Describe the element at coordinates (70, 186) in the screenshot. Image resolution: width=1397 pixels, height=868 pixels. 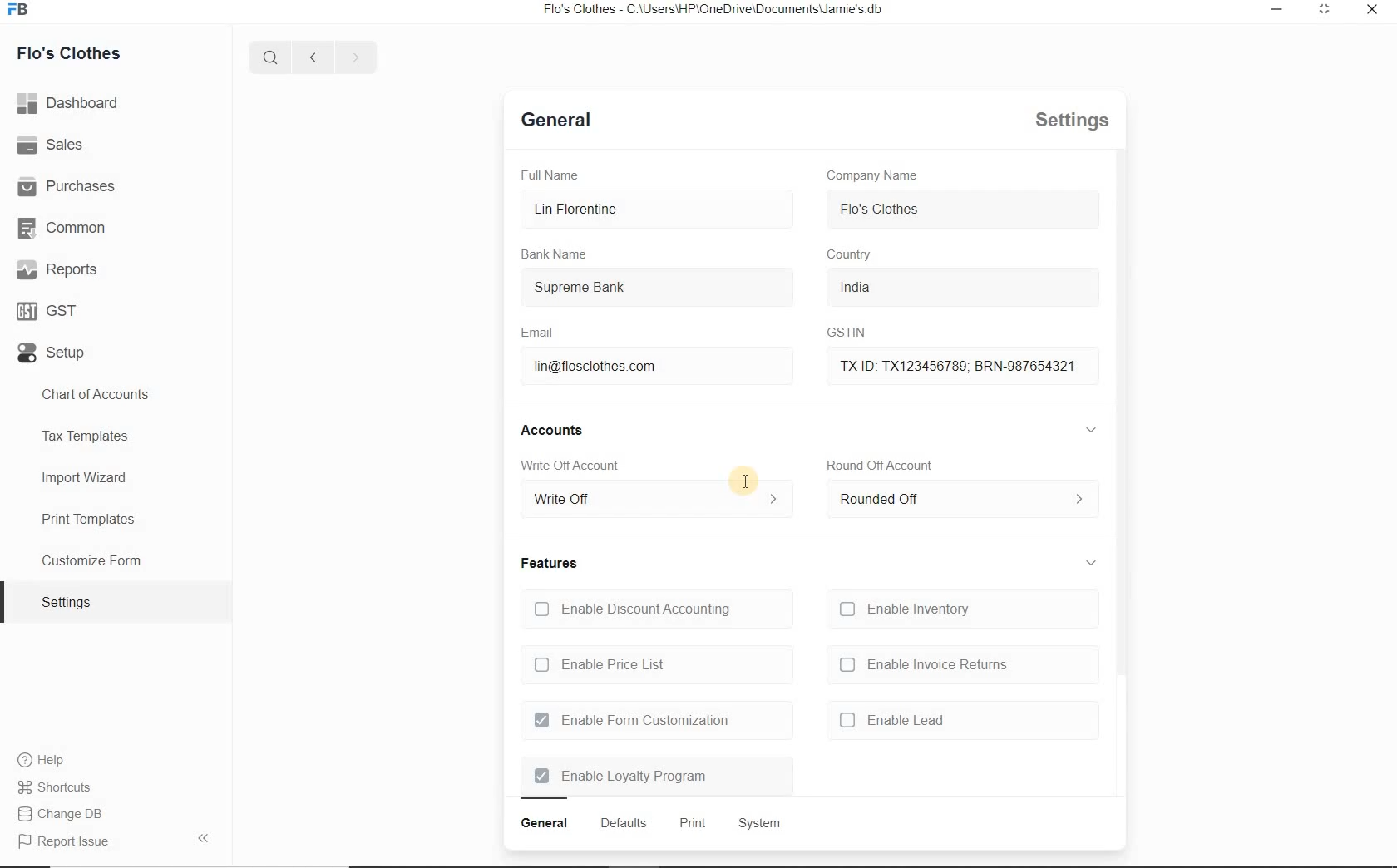
I see `Purchases` at that location.